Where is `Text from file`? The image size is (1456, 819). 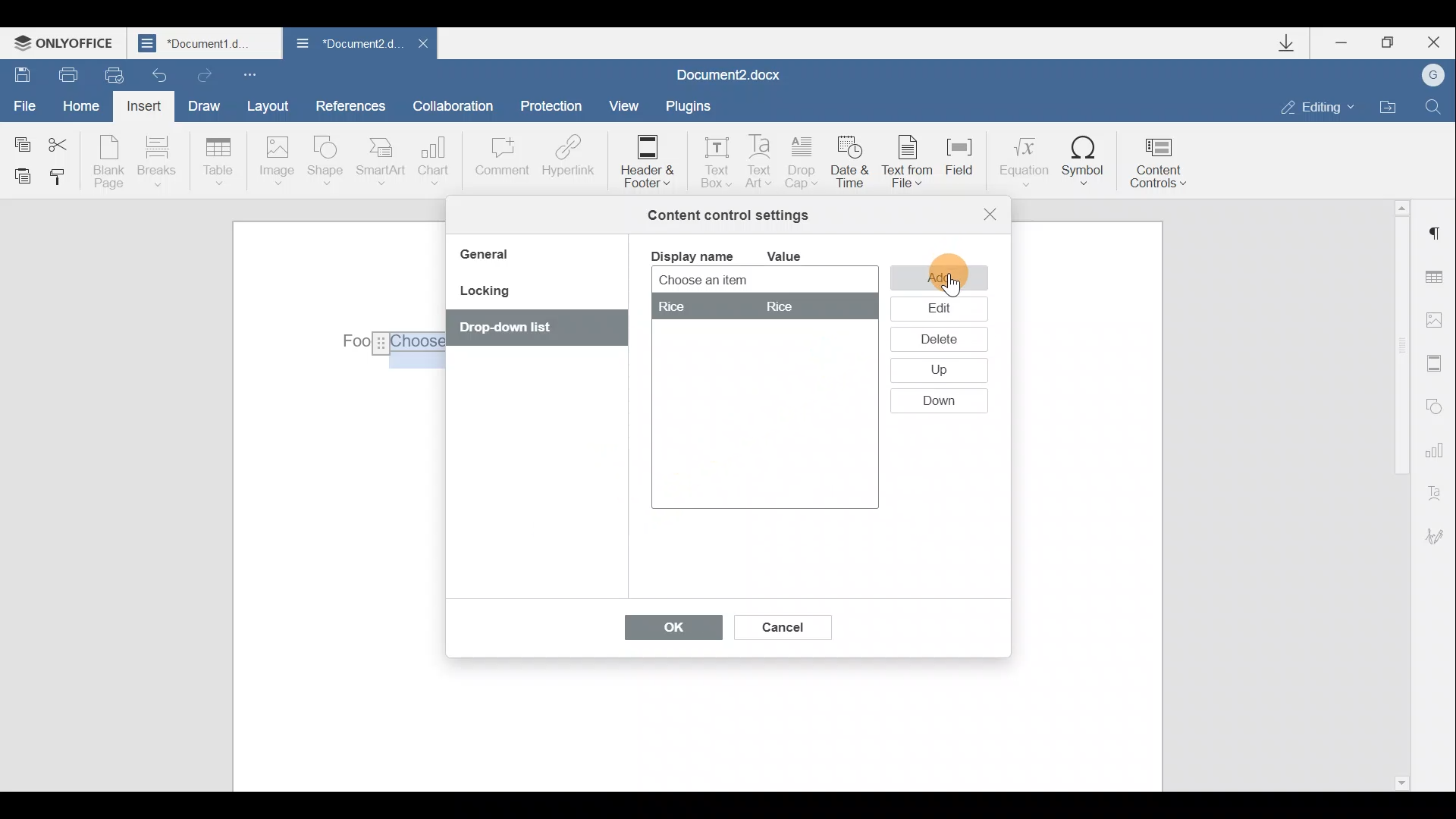
Text from file is located at coordinates (912, 163).